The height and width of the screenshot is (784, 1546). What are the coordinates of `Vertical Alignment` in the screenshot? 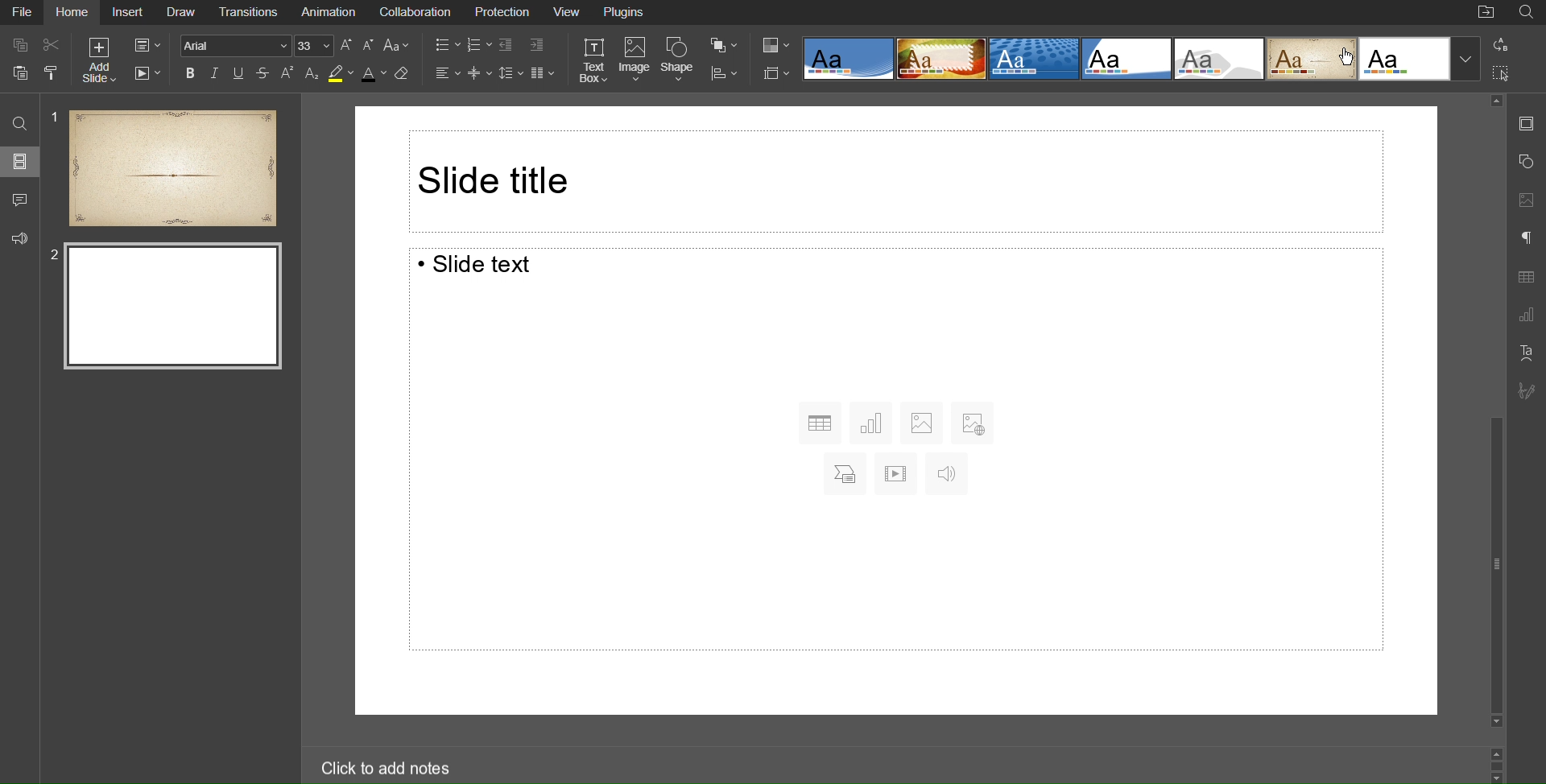 It's located at (482, 73).